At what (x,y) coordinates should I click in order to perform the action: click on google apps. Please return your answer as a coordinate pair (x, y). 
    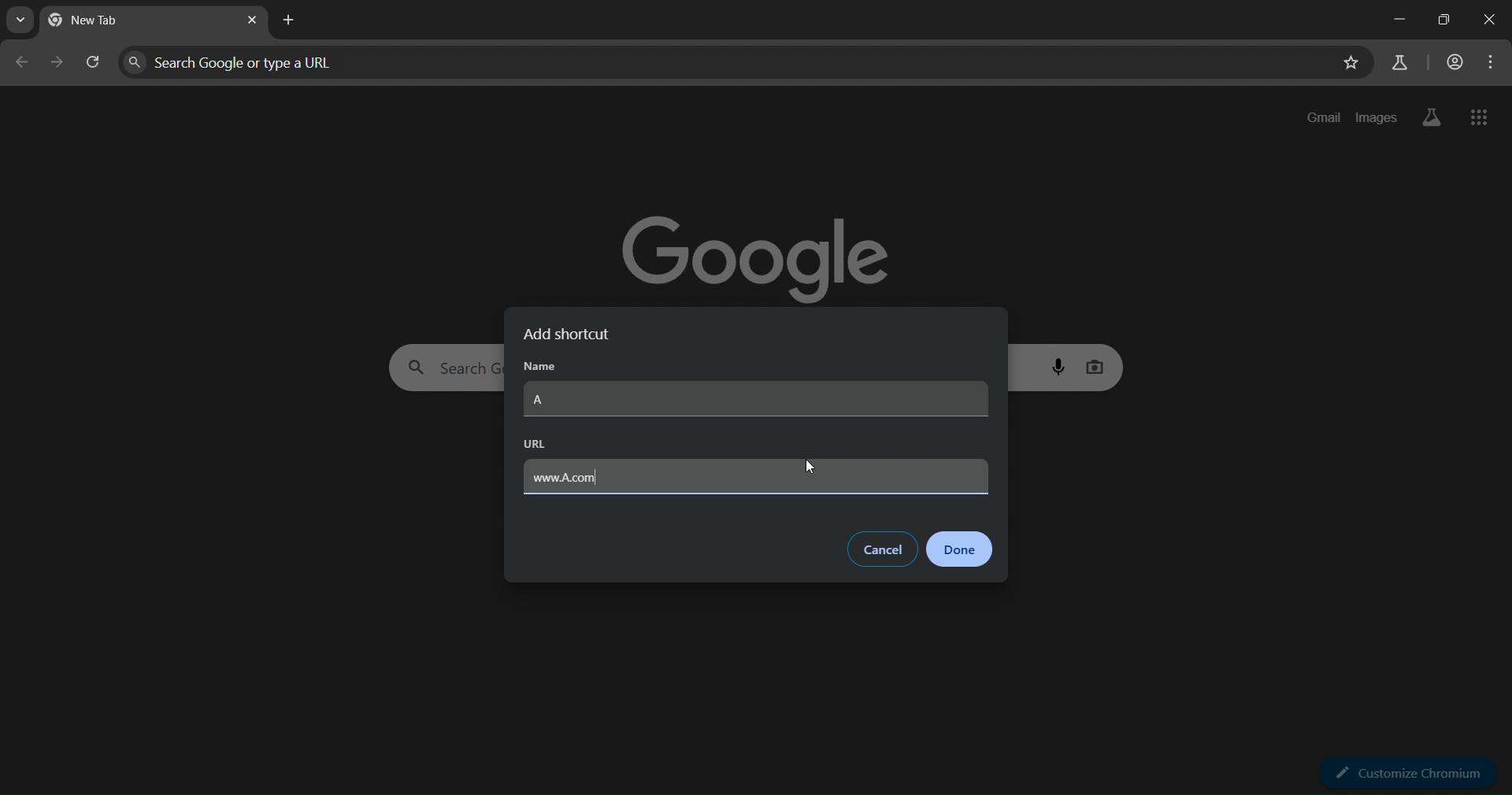
    Looking at the image, I should click on (1480, 119).